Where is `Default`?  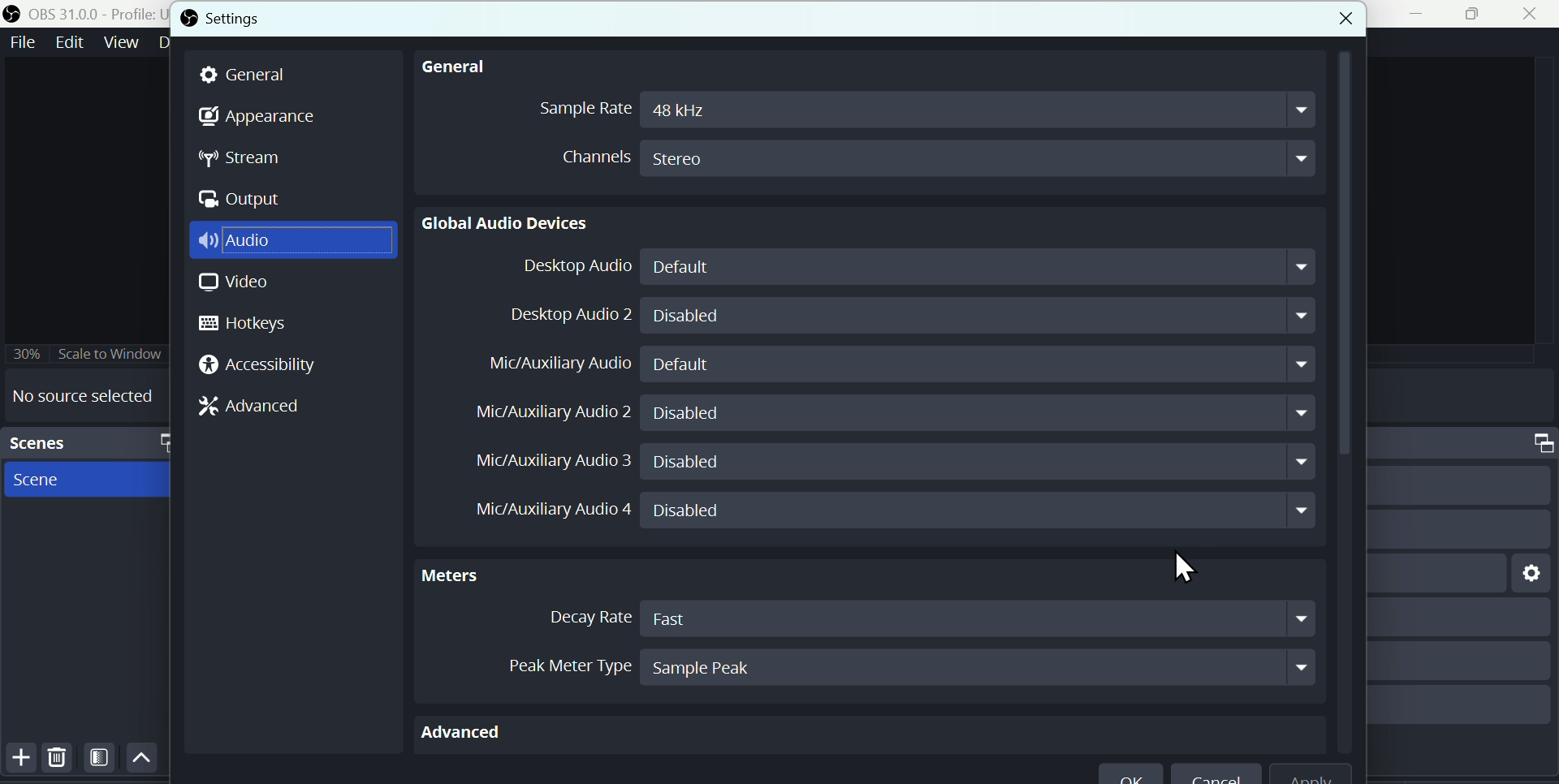
Default is located at coordinates (983, 268).